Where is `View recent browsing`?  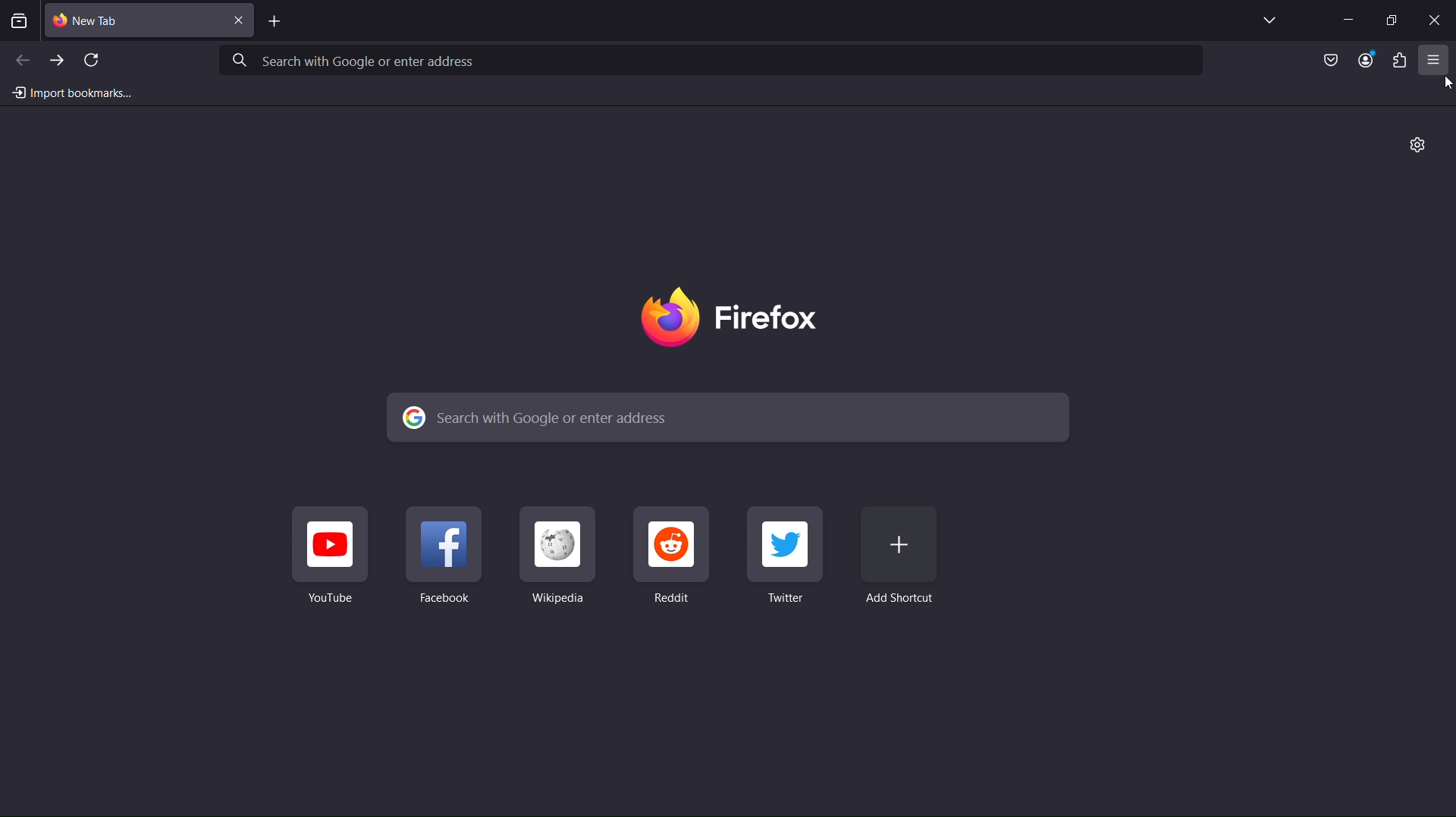
View recent browsing is located at coordinates (22, 21).